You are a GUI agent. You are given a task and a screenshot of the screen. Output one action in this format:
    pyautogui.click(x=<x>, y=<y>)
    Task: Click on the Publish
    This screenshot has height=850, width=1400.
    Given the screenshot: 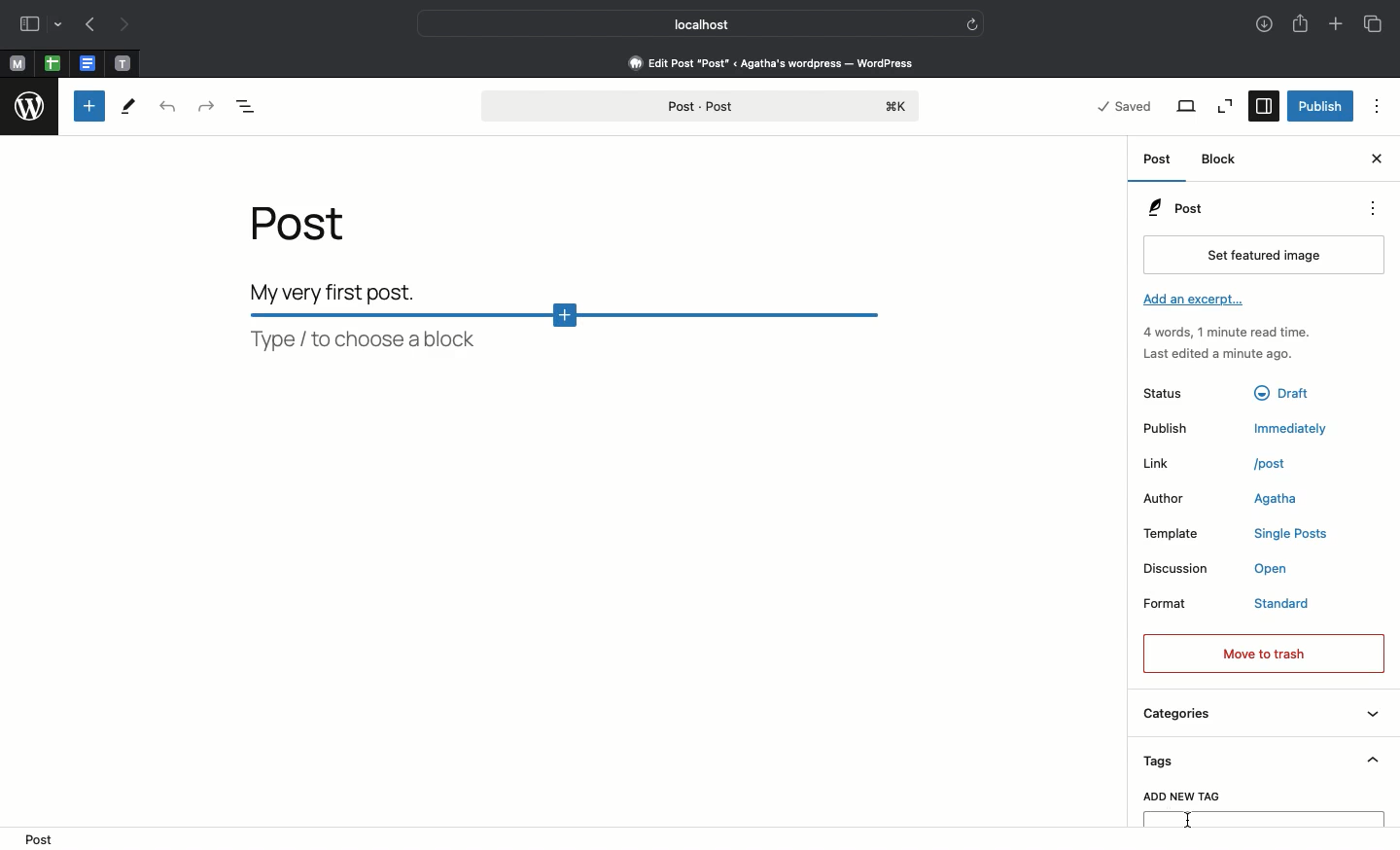 What is the action you would take?
    pyautogui.click(x=1170, y=431)
    